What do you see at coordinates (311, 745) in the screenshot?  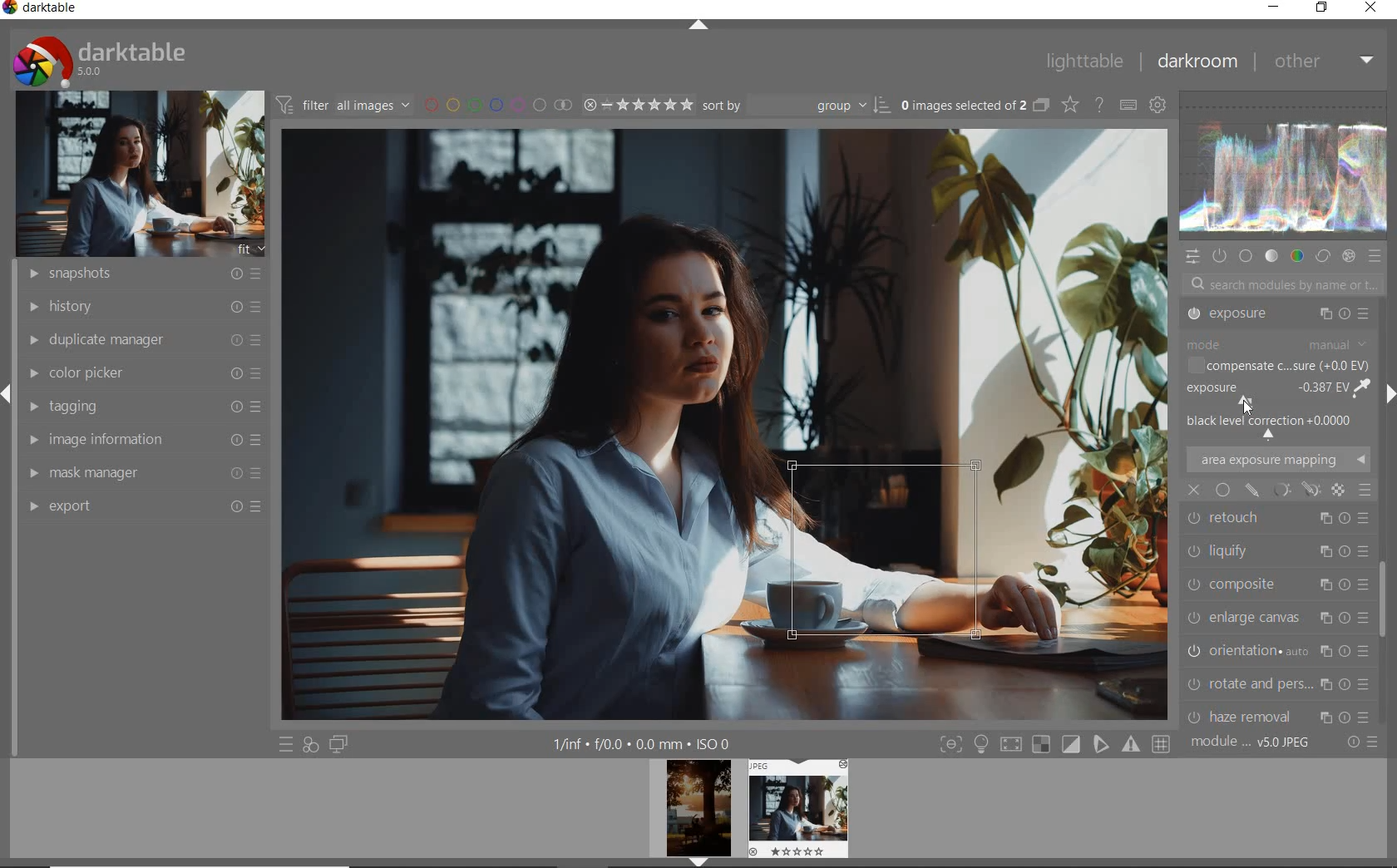 I see `QUICK ACCESS FOR APPLYING ANY OF YOUR STYLES` at bounding box center [311, 745].